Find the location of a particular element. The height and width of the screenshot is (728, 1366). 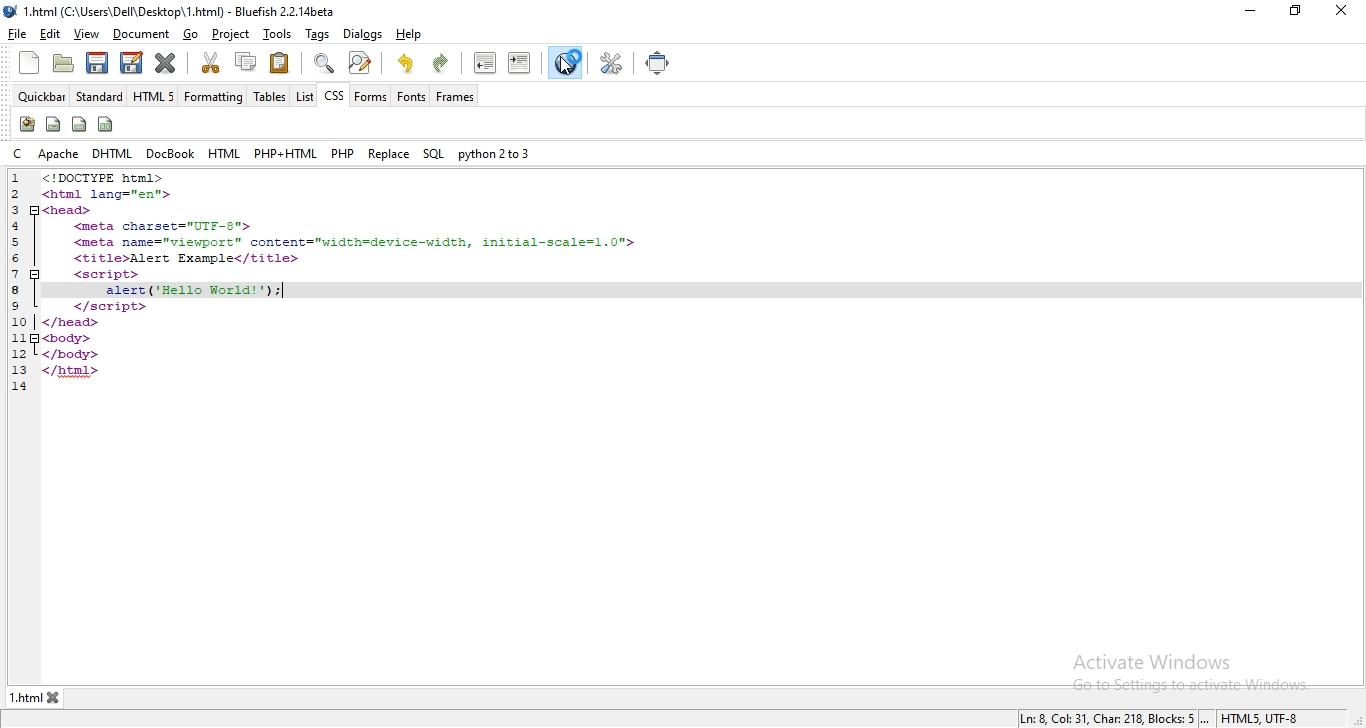

view is located at coordinates (85, 34).